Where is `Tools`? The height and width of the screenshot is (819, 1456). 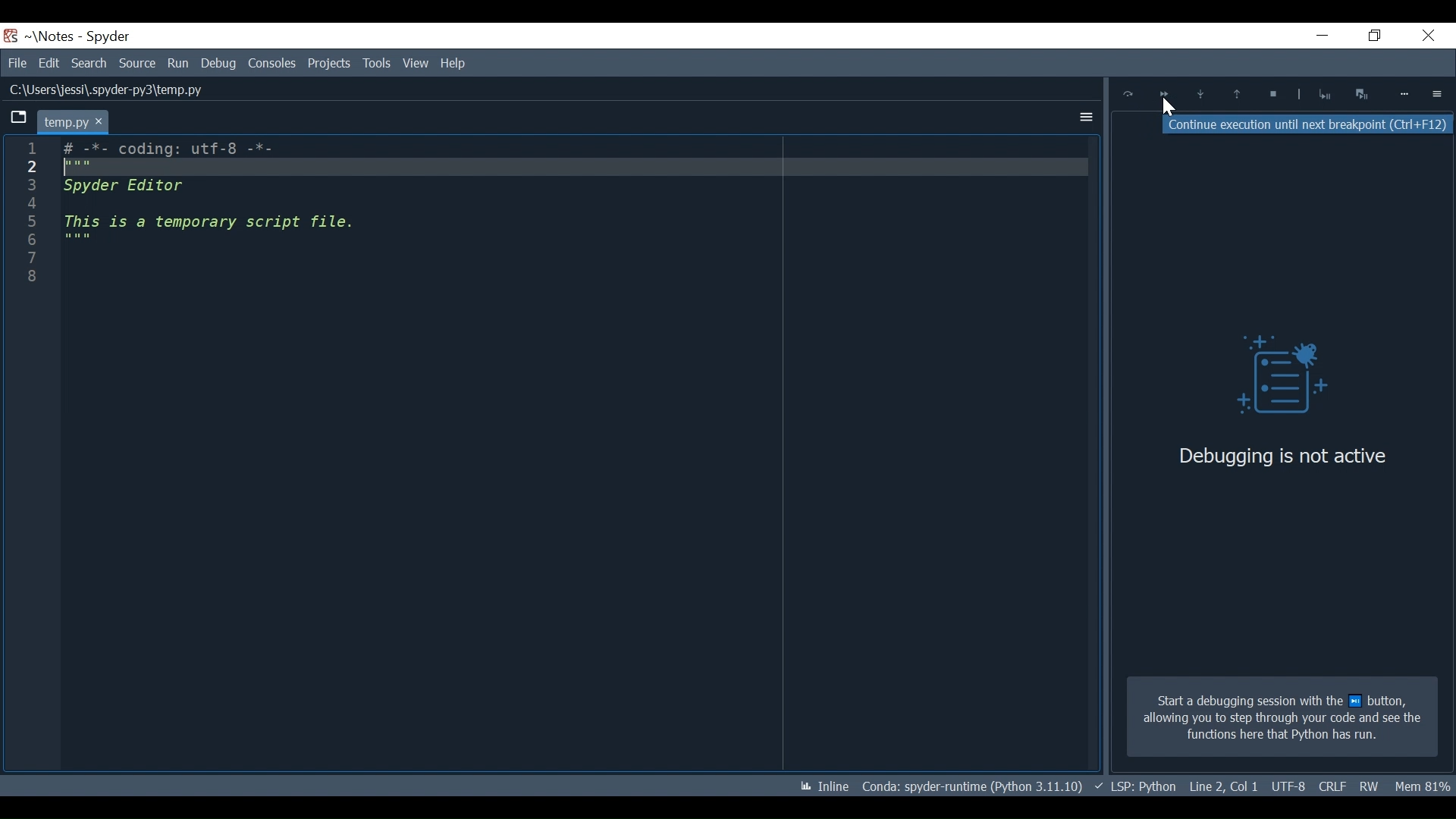 Tools is located at coordinates (331, 63).